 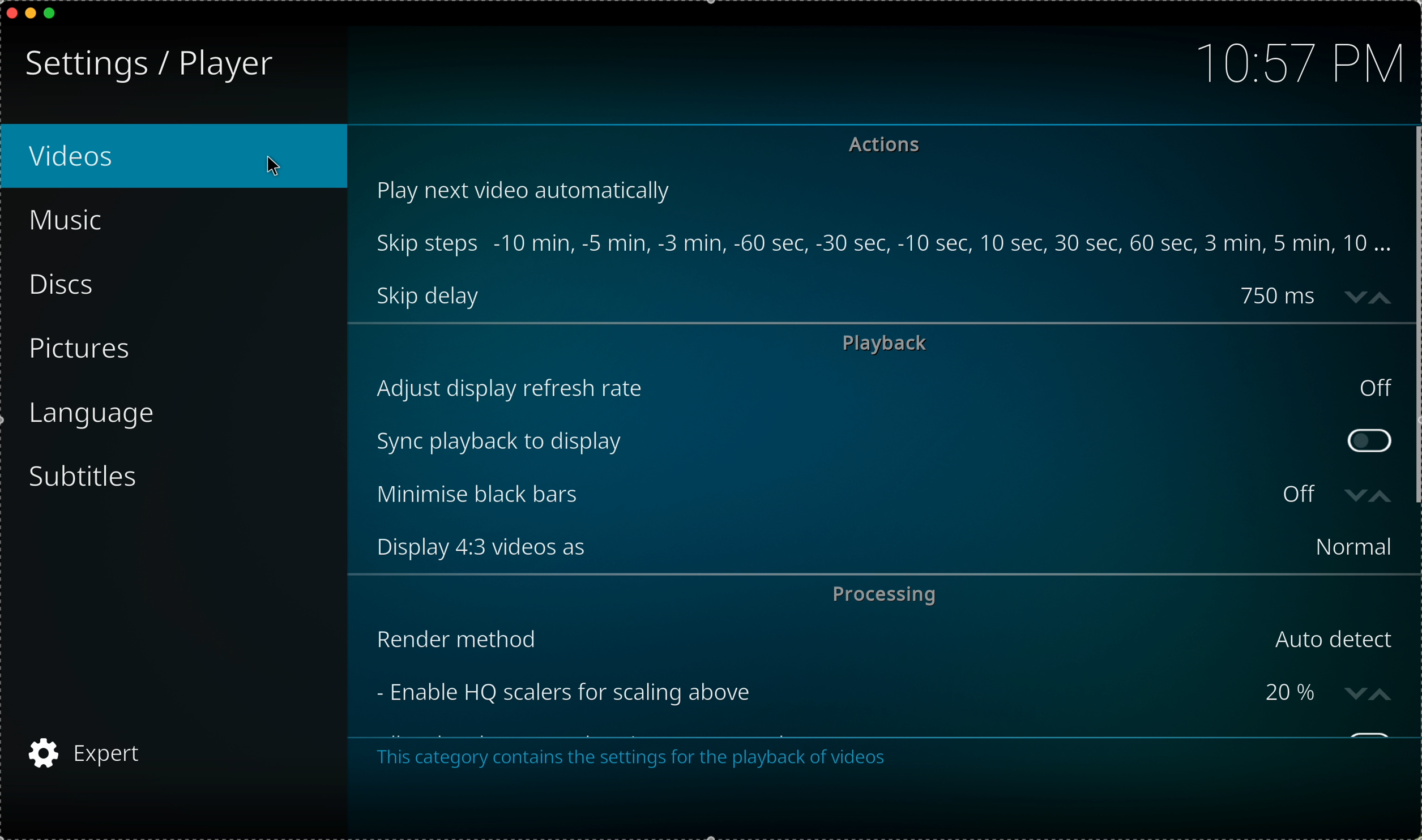 What do you see at coordinates (885, 343) in the screenshot?
I see `playback` at bounding box center [885, 343].